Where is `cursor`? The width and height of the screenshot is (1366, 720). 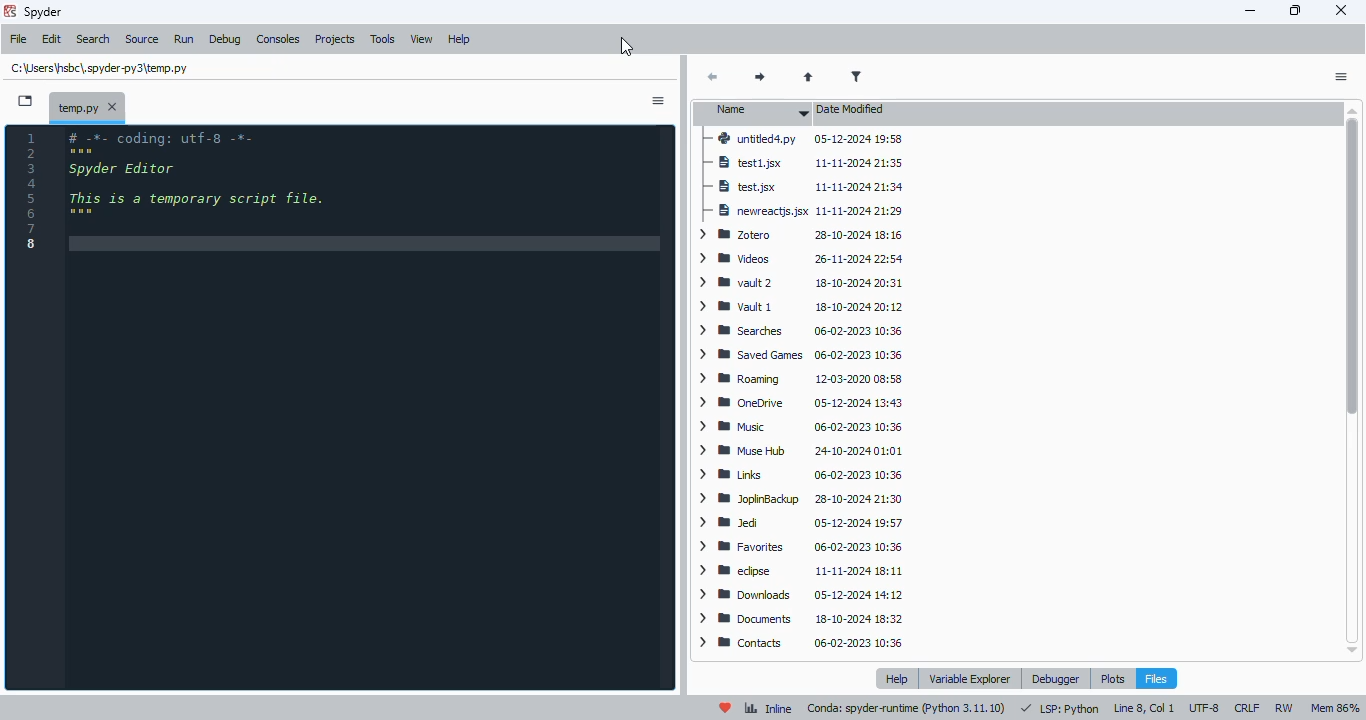 cursor is located at coordinates (626, 46).